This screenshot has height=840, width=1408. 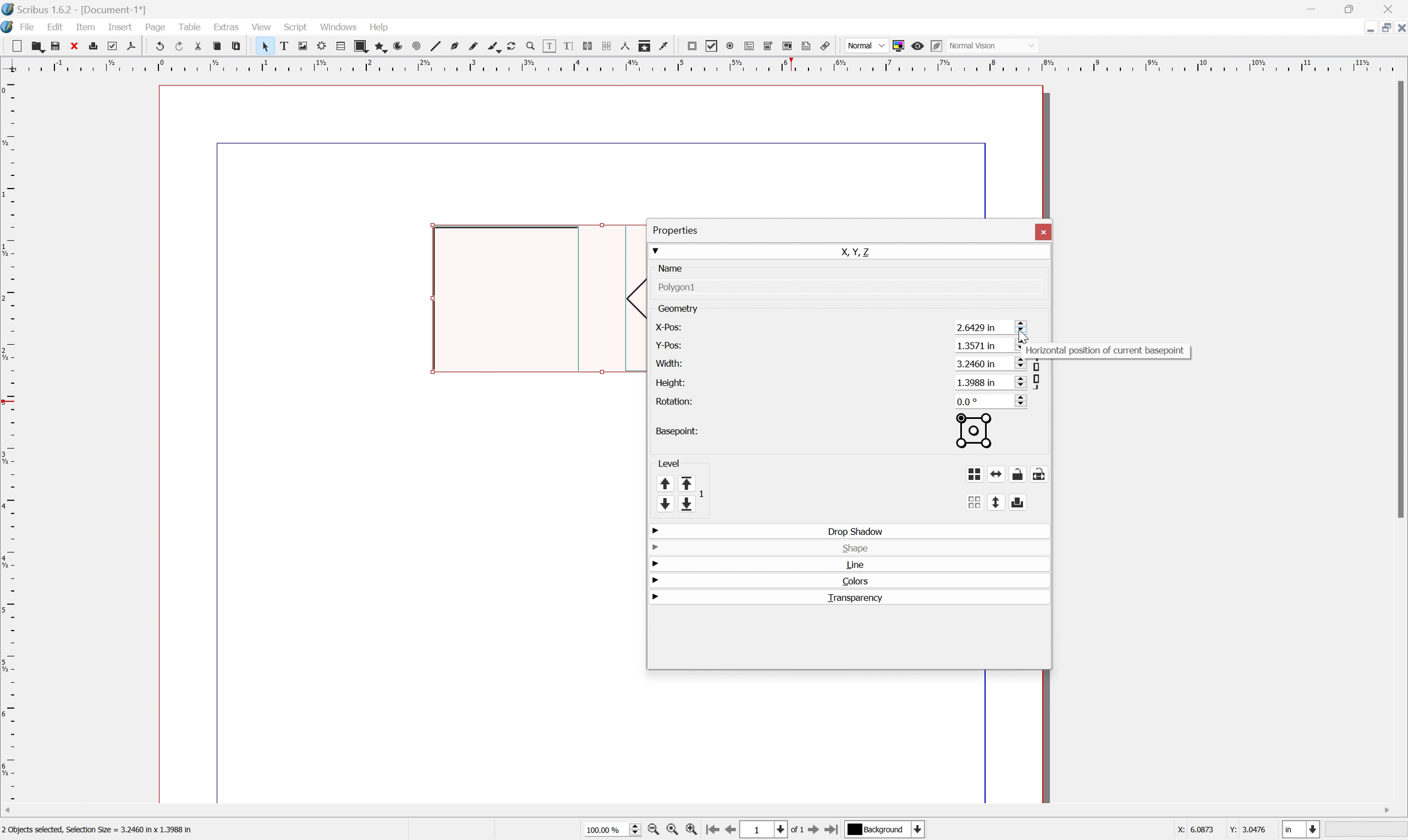 I want to click on Select current unit, so click(x=1301, y=830).